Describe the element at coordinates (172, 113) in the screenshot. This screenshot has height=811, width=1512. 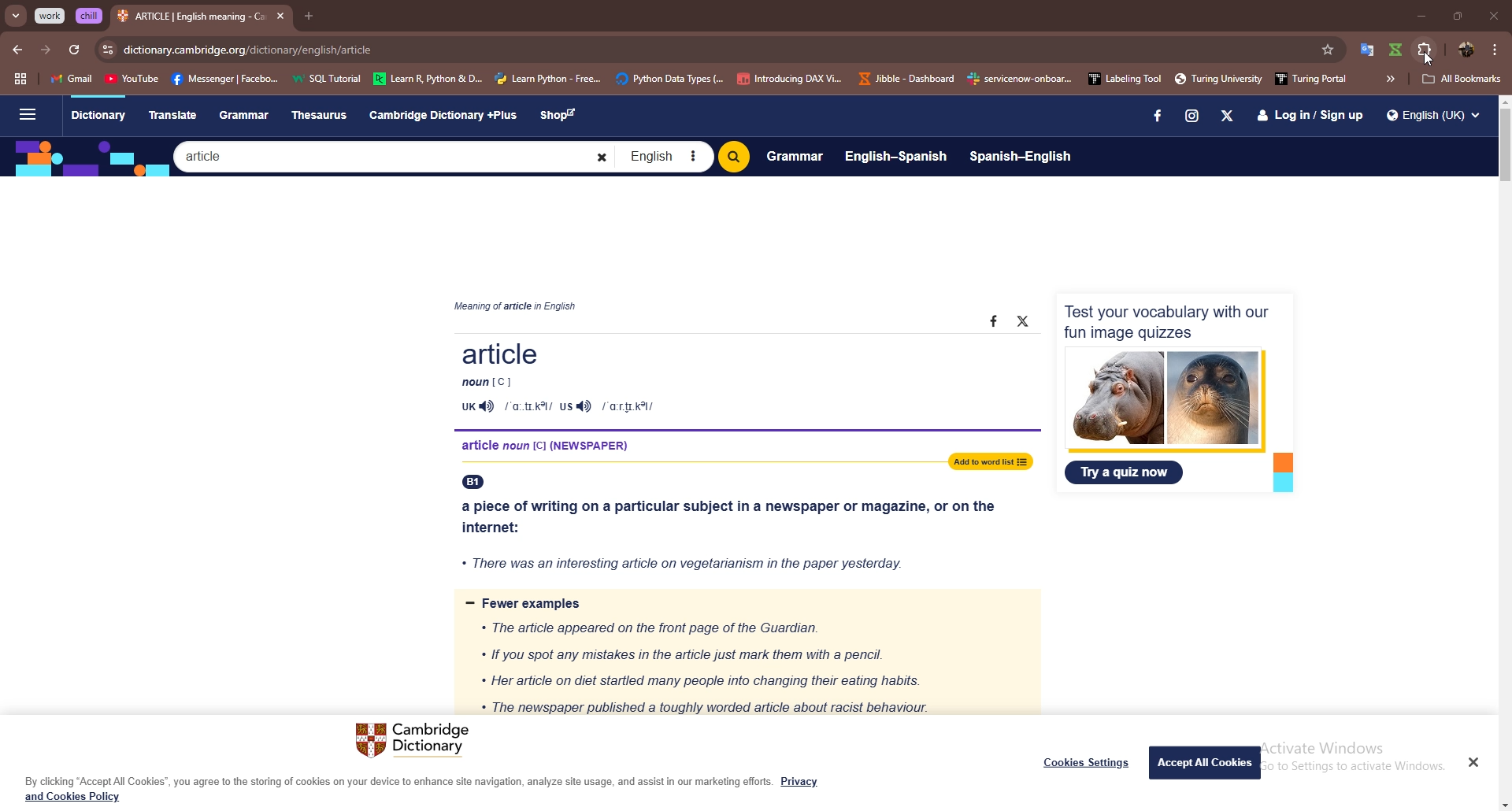
I see `Translate` at that location.